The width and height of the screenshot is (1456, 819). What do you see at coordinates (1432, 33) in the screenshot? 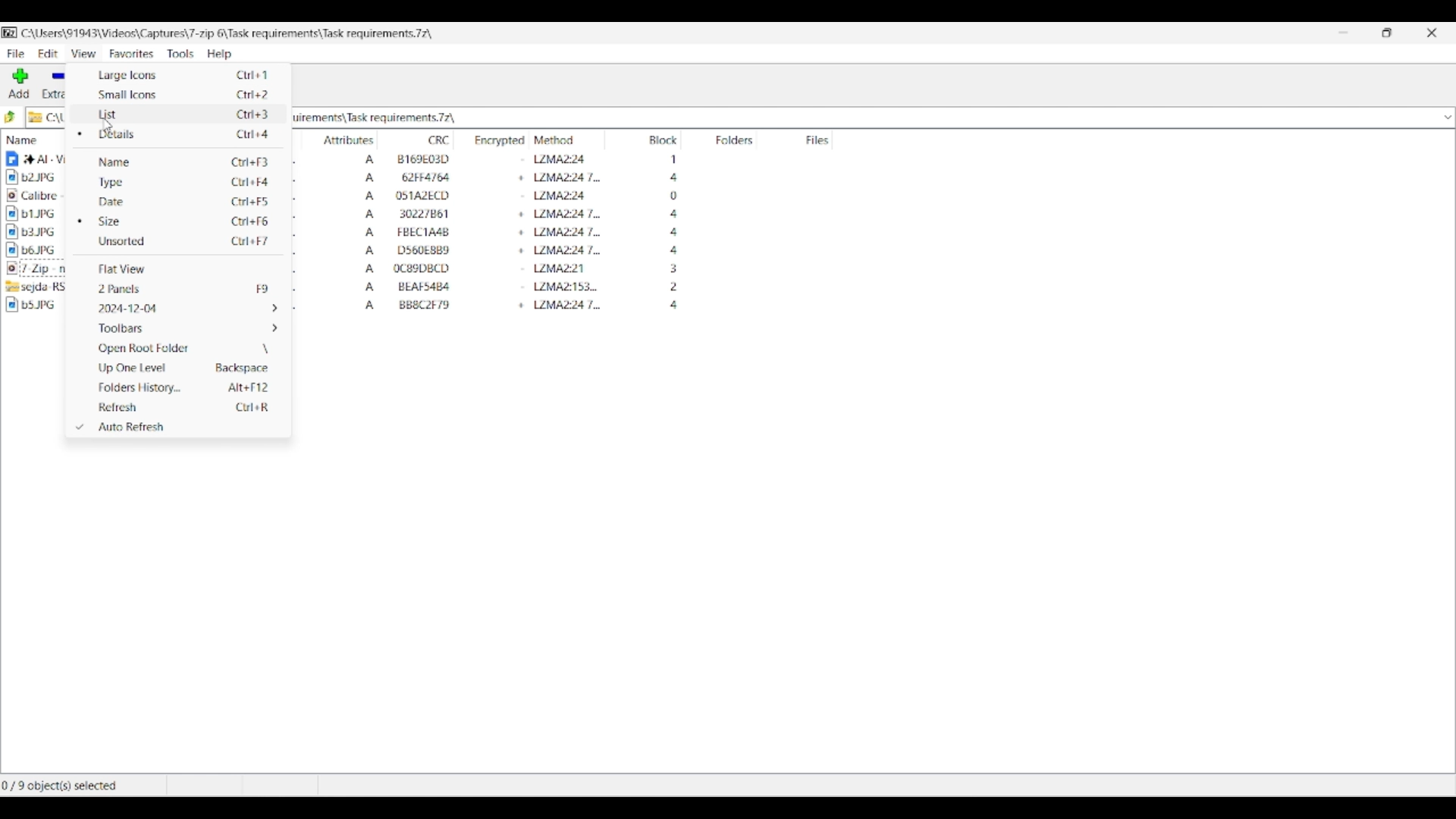
I see `Close interface` at bounding box center [1432, 33].